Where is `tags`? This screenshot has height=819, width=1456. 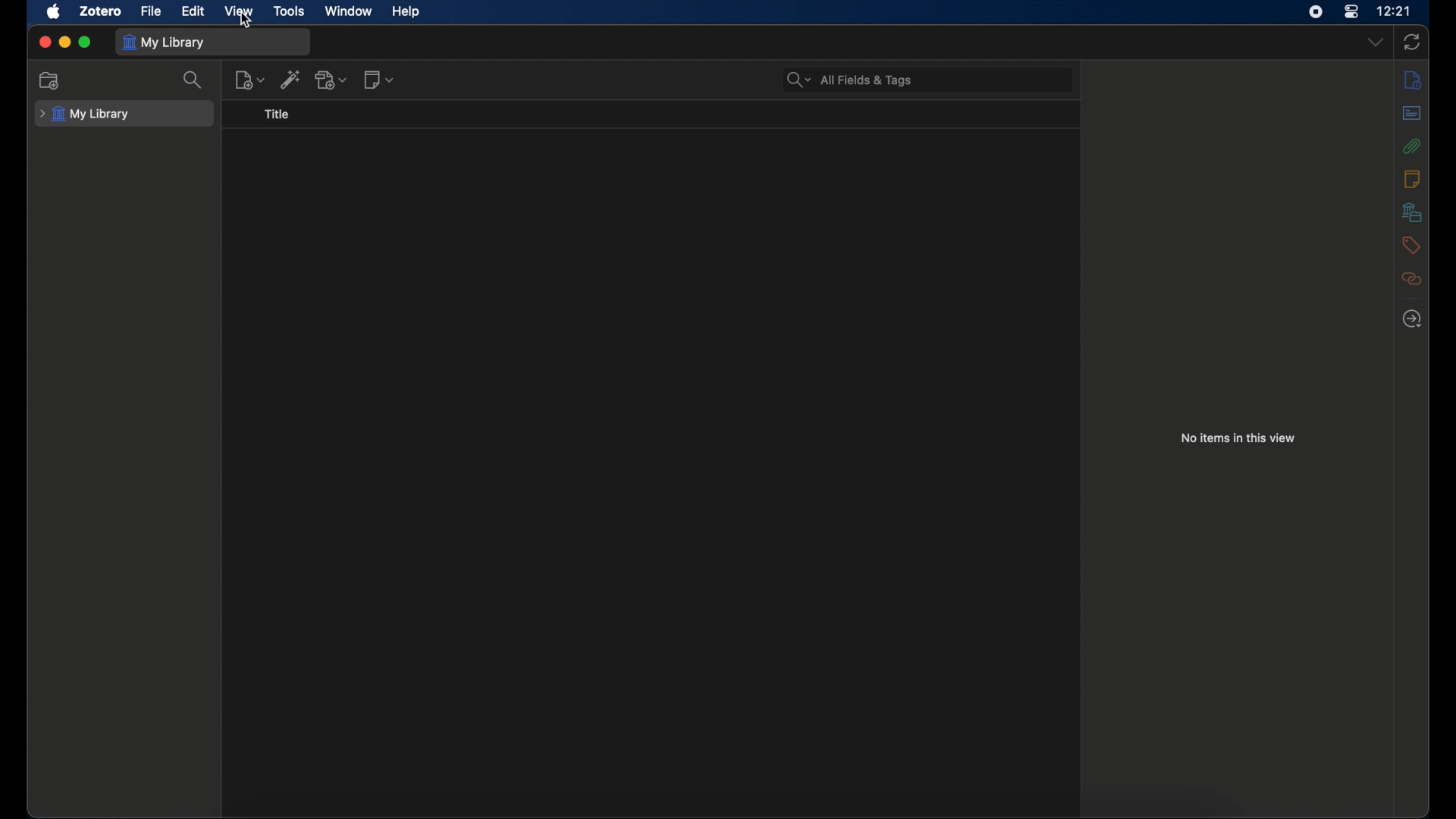 tags is located at coordinates (1410, 245).